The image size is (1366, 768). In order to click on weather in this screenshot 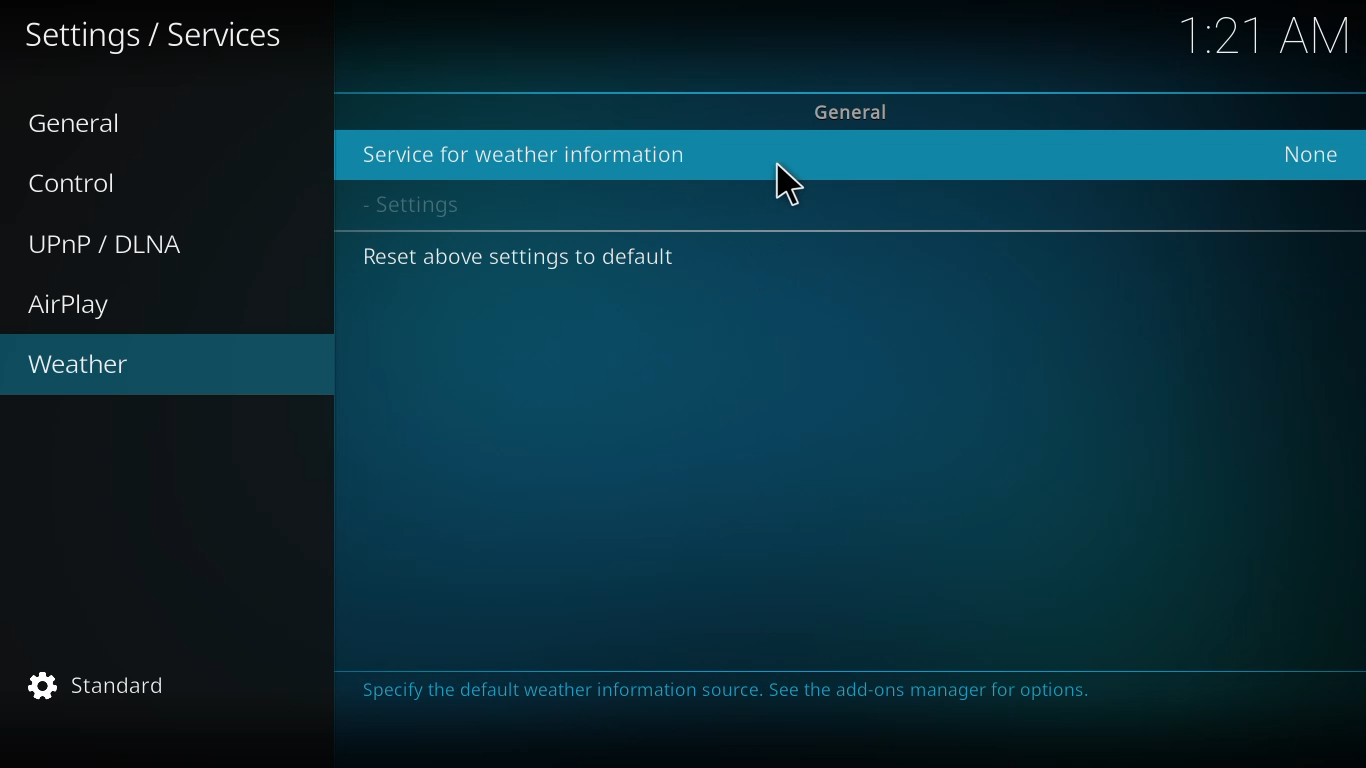, I will do `click(79, 366)`.